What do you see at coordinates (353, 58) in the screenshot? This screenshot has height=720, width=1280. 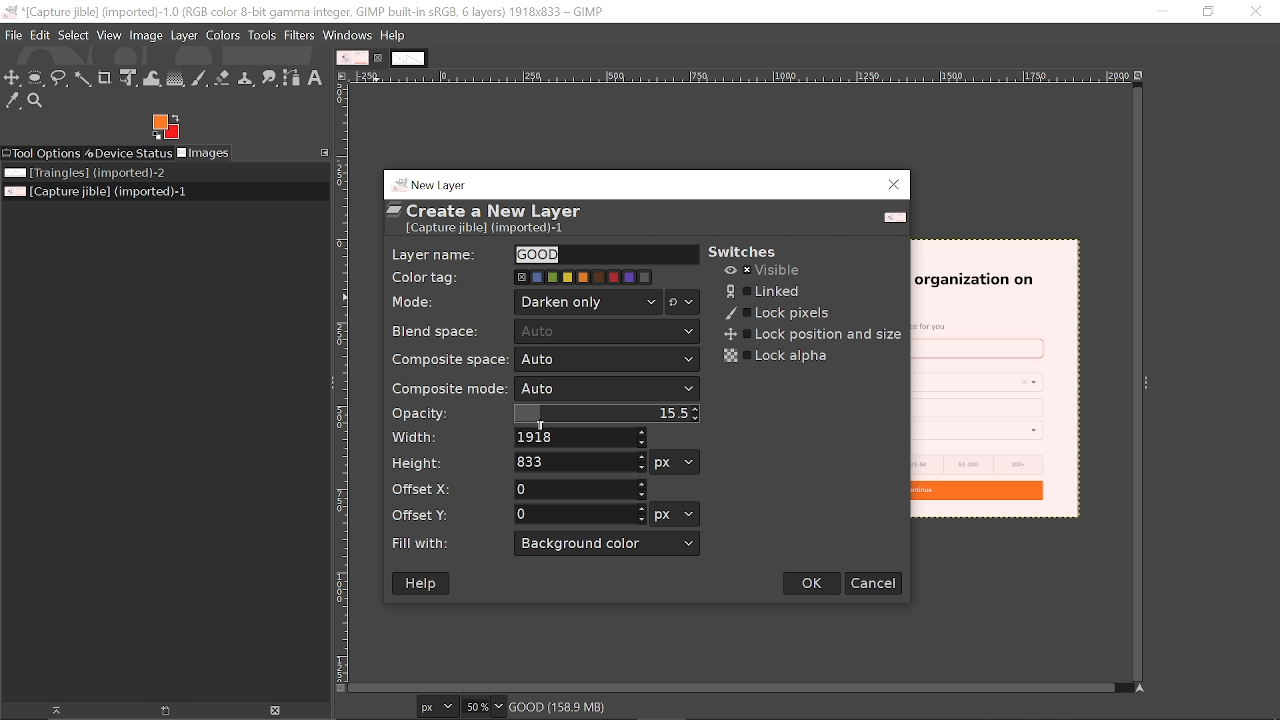 I see `Current tab` at bounding box center [353, 58].